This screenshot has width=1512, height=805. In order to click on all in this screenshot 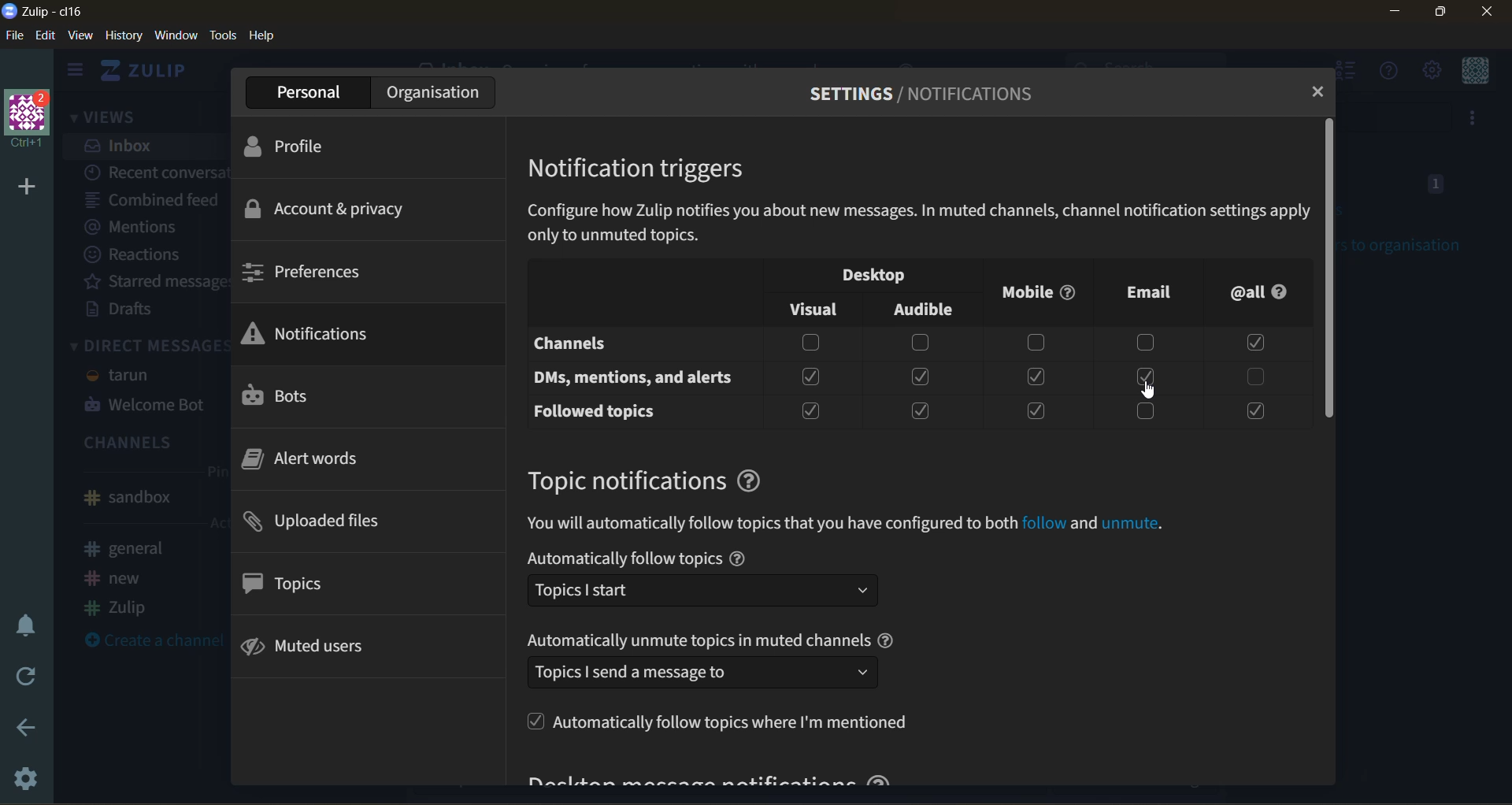, I will do `click(1266, 293)`.